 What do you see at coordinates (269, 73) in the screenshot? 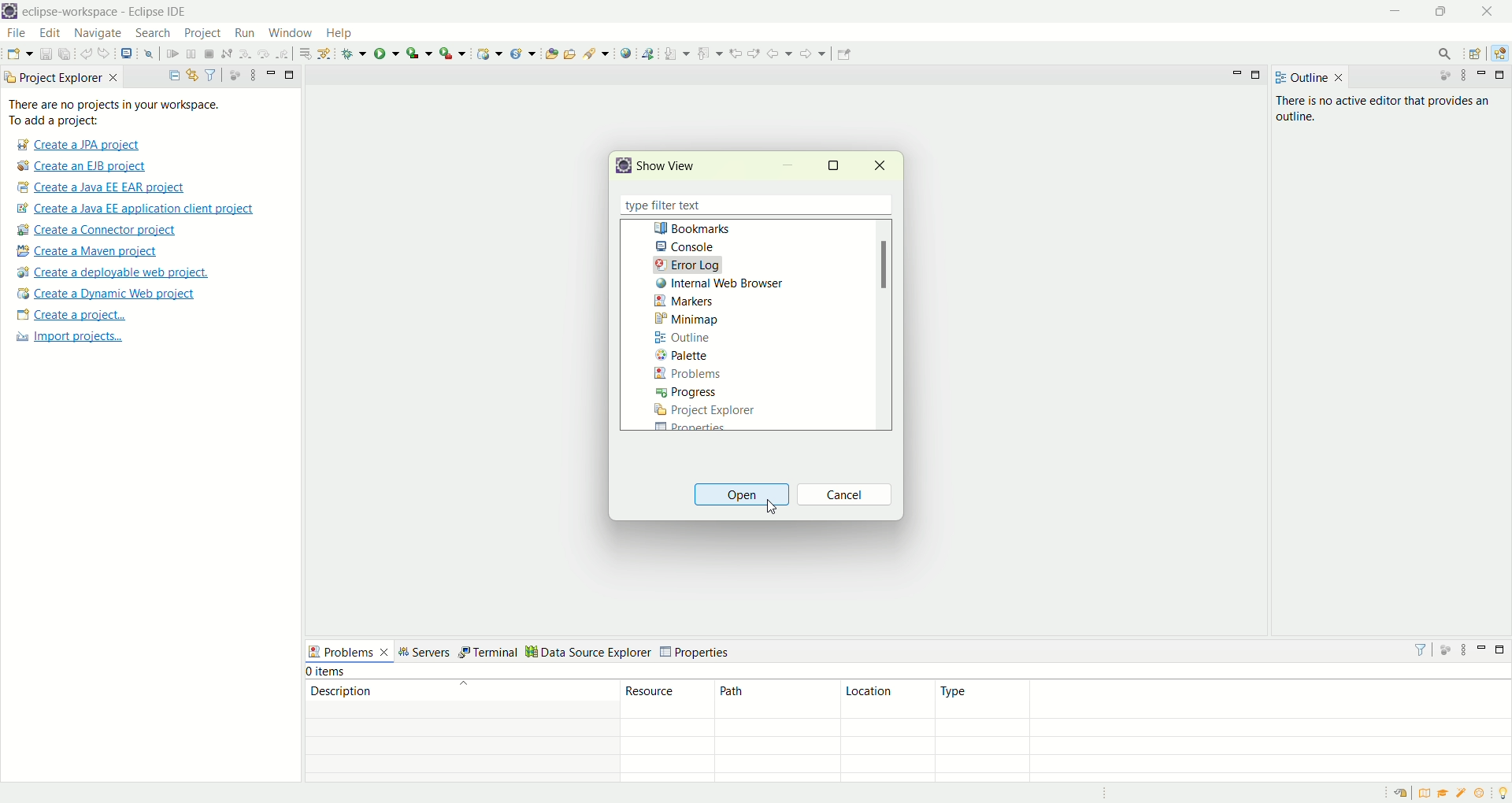
I see `minimize` at bounding box center [269, 73].